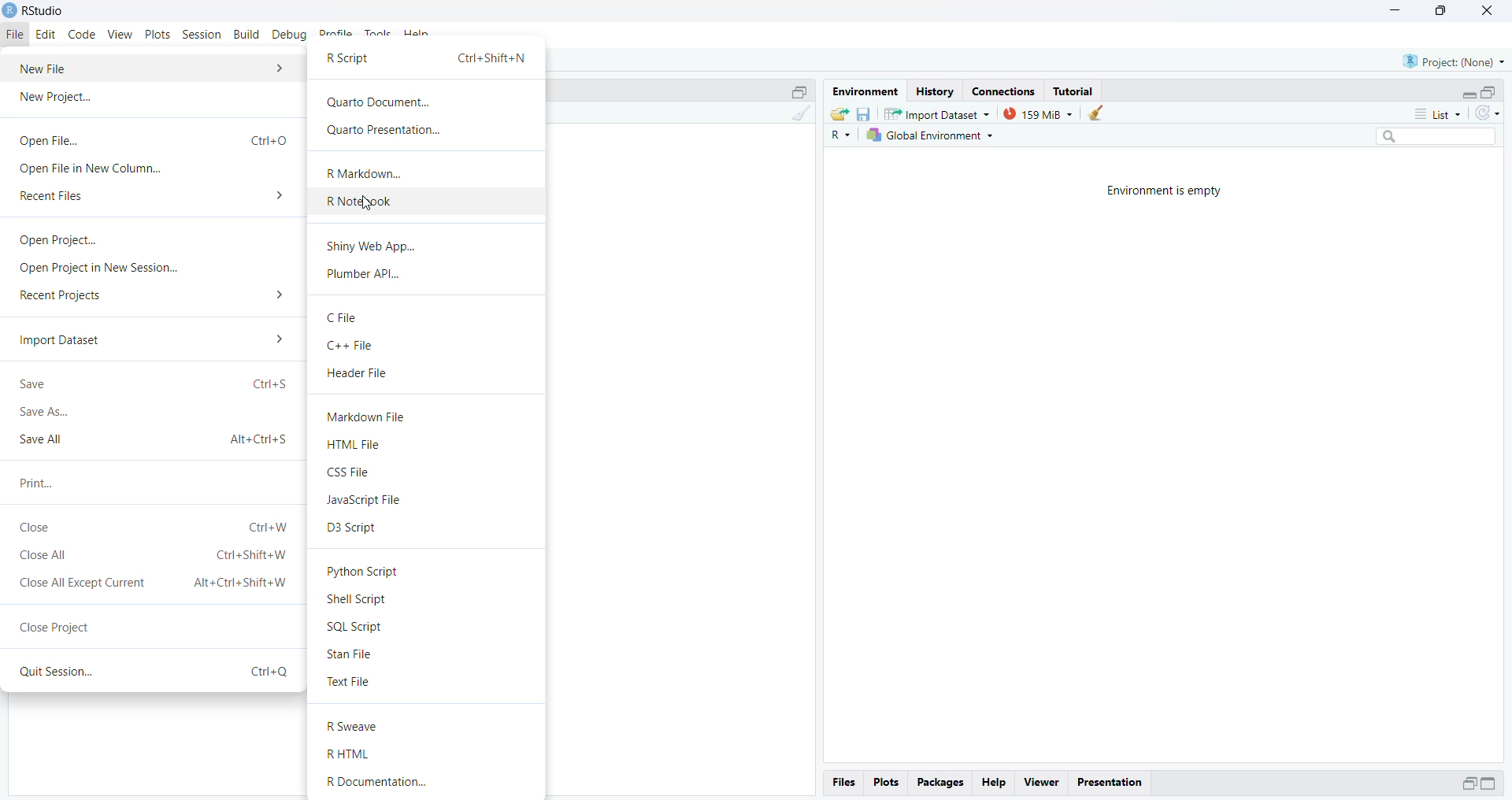 The width and height of the screenshot is (1512, 800). What do you see at coordinates (1492, 784) in the screenshot?
I see `expand` at bounding box center [1492, 784].